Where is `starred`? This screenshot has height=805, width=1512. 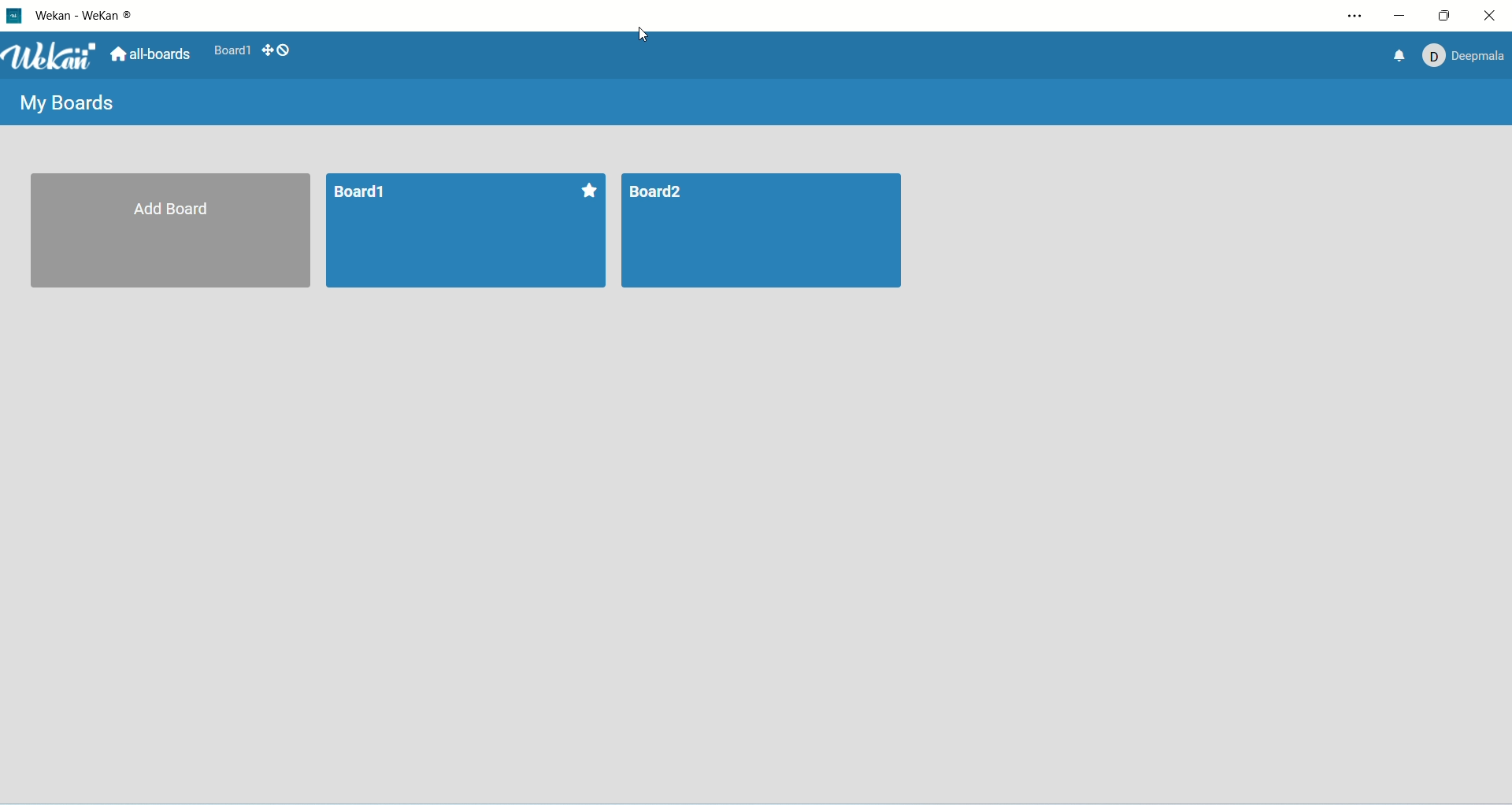
starred is located at coordinates (588, 188).